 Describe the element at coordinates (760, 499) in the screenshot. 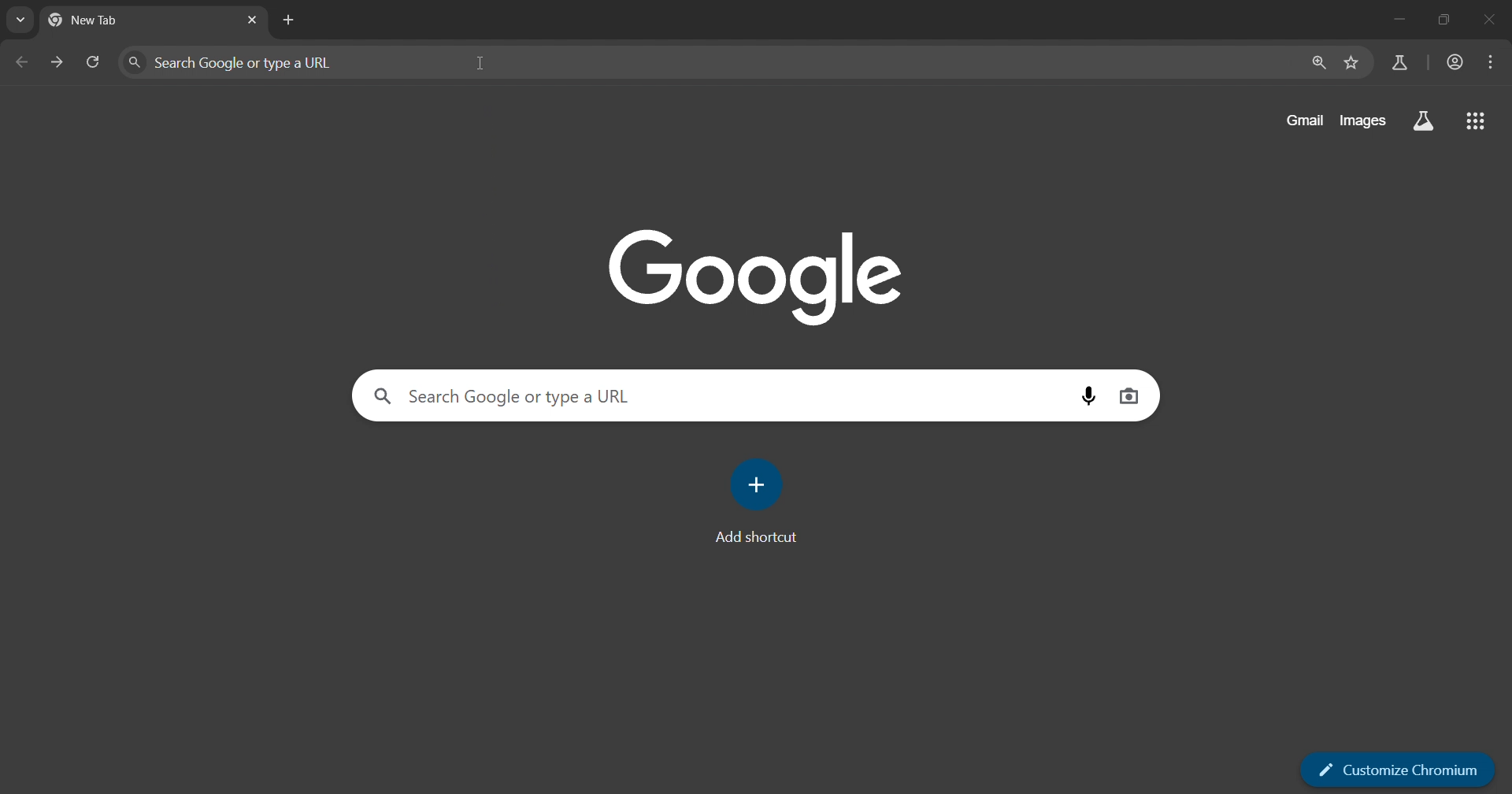

I see `add shortcut` at that location.